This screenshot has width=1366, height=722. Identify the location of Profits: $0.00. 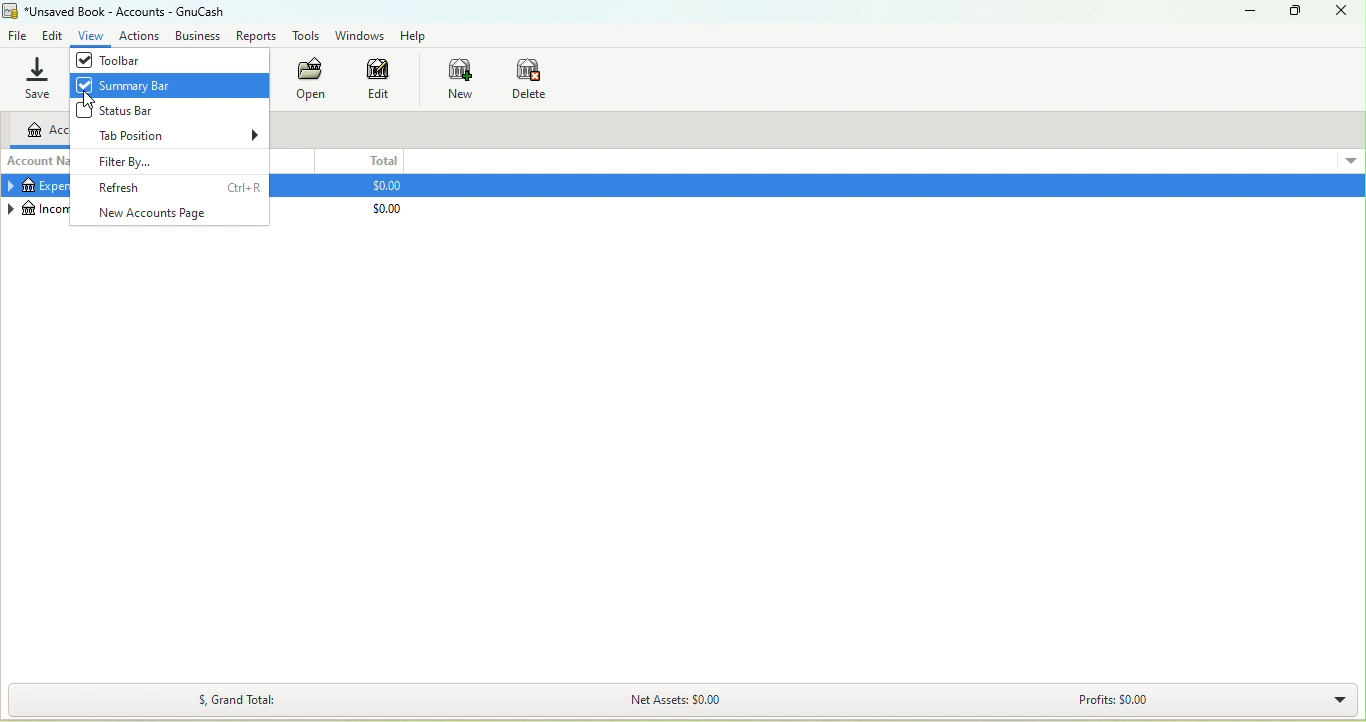
(1117, 700).